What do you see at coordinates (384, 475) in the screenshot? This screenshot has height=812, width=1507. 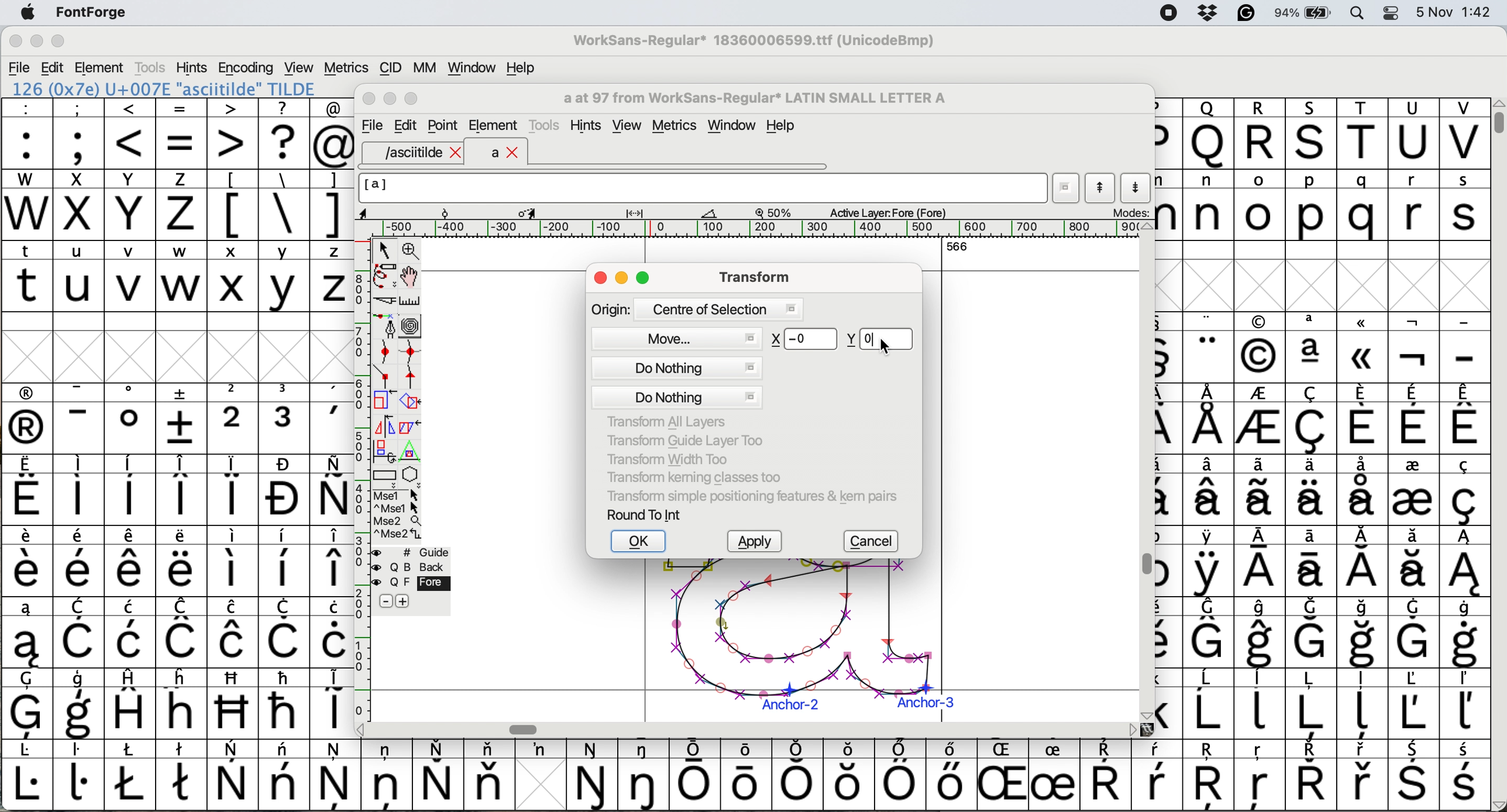 I see `Rectangle or box` at bounding box center [384, 475].